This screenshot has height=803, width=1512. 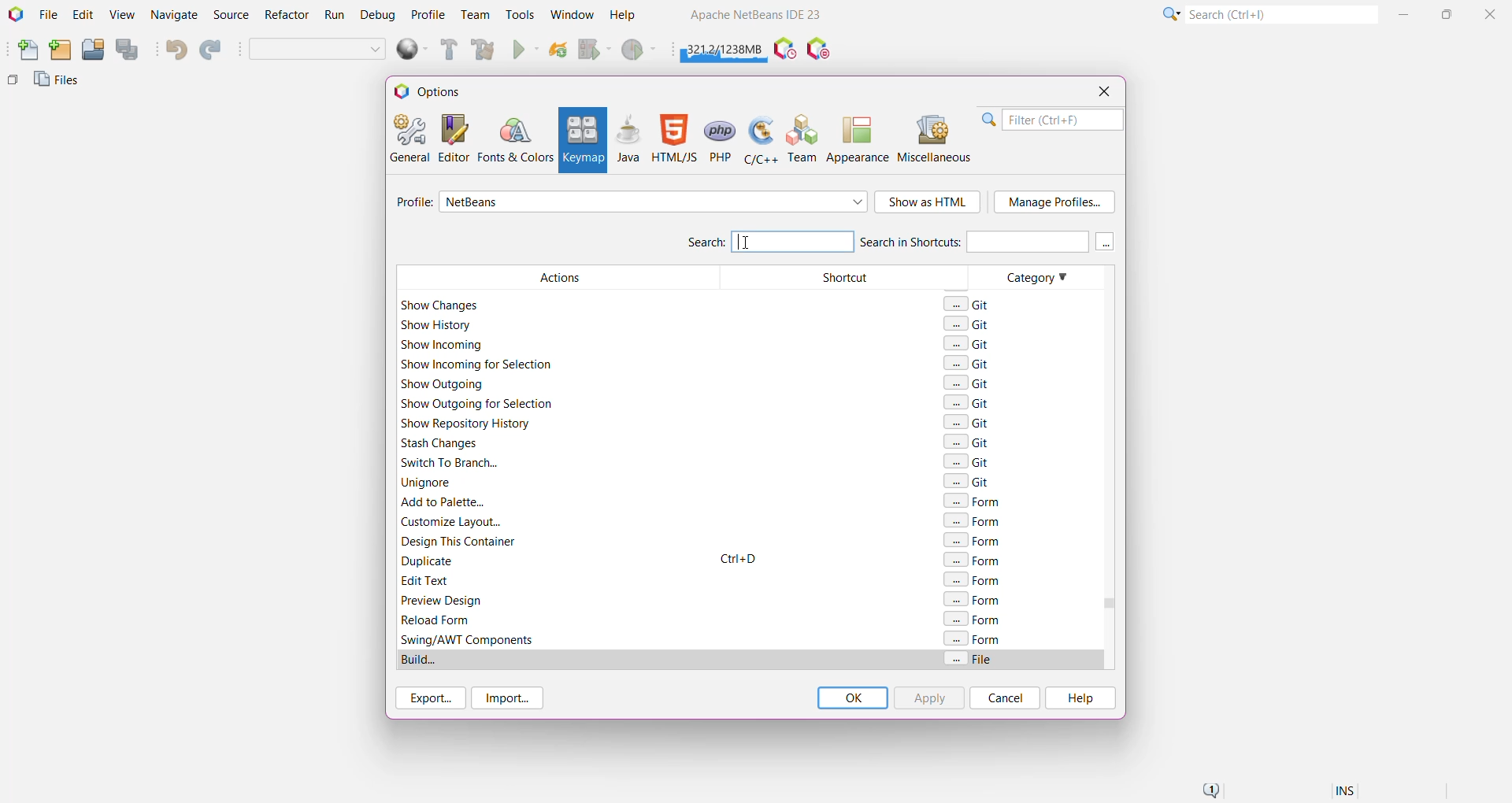 What do you see at coordinates (24, 51) in the screenshot?
I see `New File` at bounding box center [24, 51].